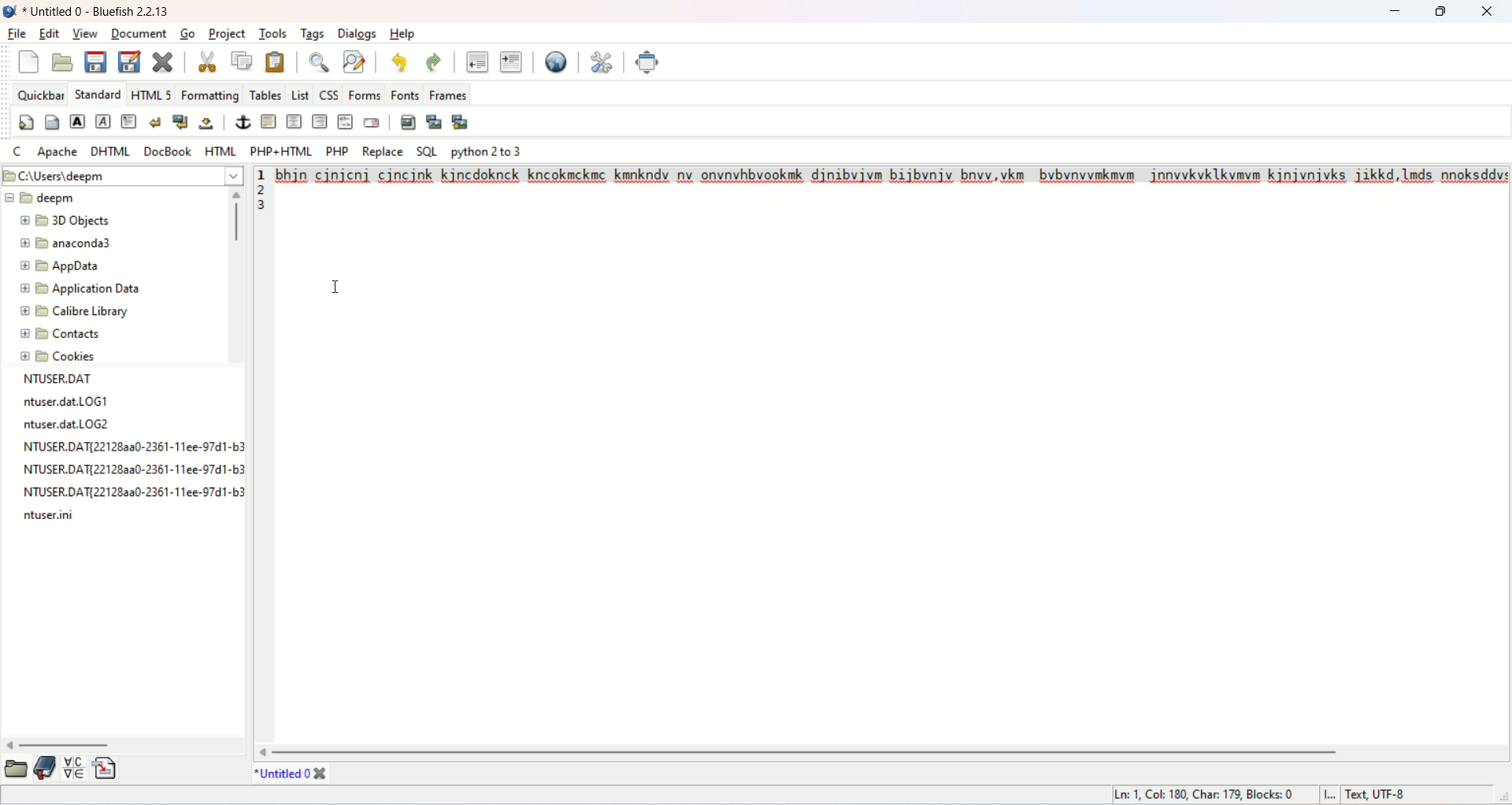 This screenshot has width=1512, height=805. Describe the element at coordinates (395, 65) in the screenshot. I see `undo` at that location.